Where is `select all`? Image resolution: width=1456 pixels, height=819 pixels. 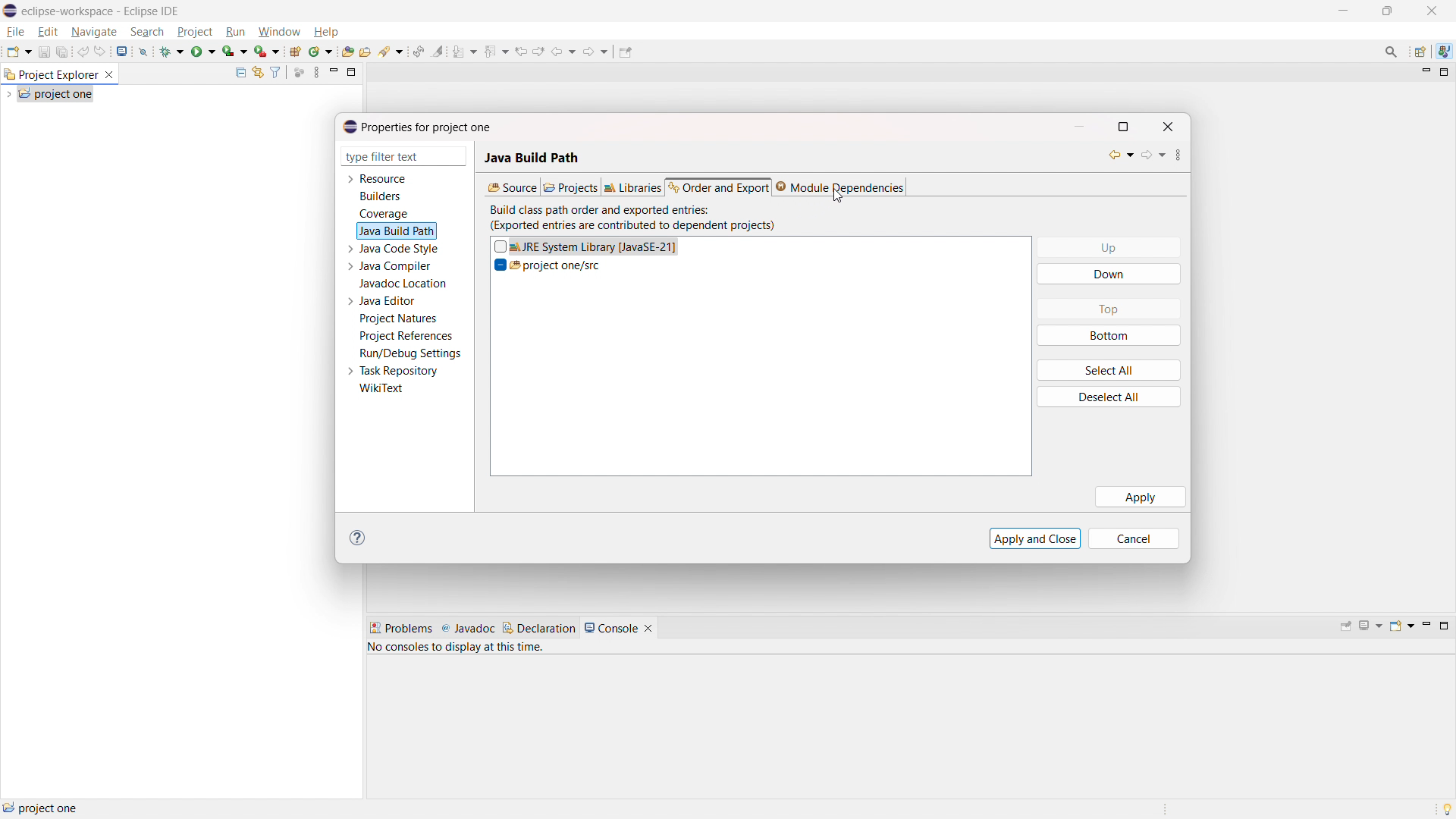
select all is located at coordinates (1111, 369).